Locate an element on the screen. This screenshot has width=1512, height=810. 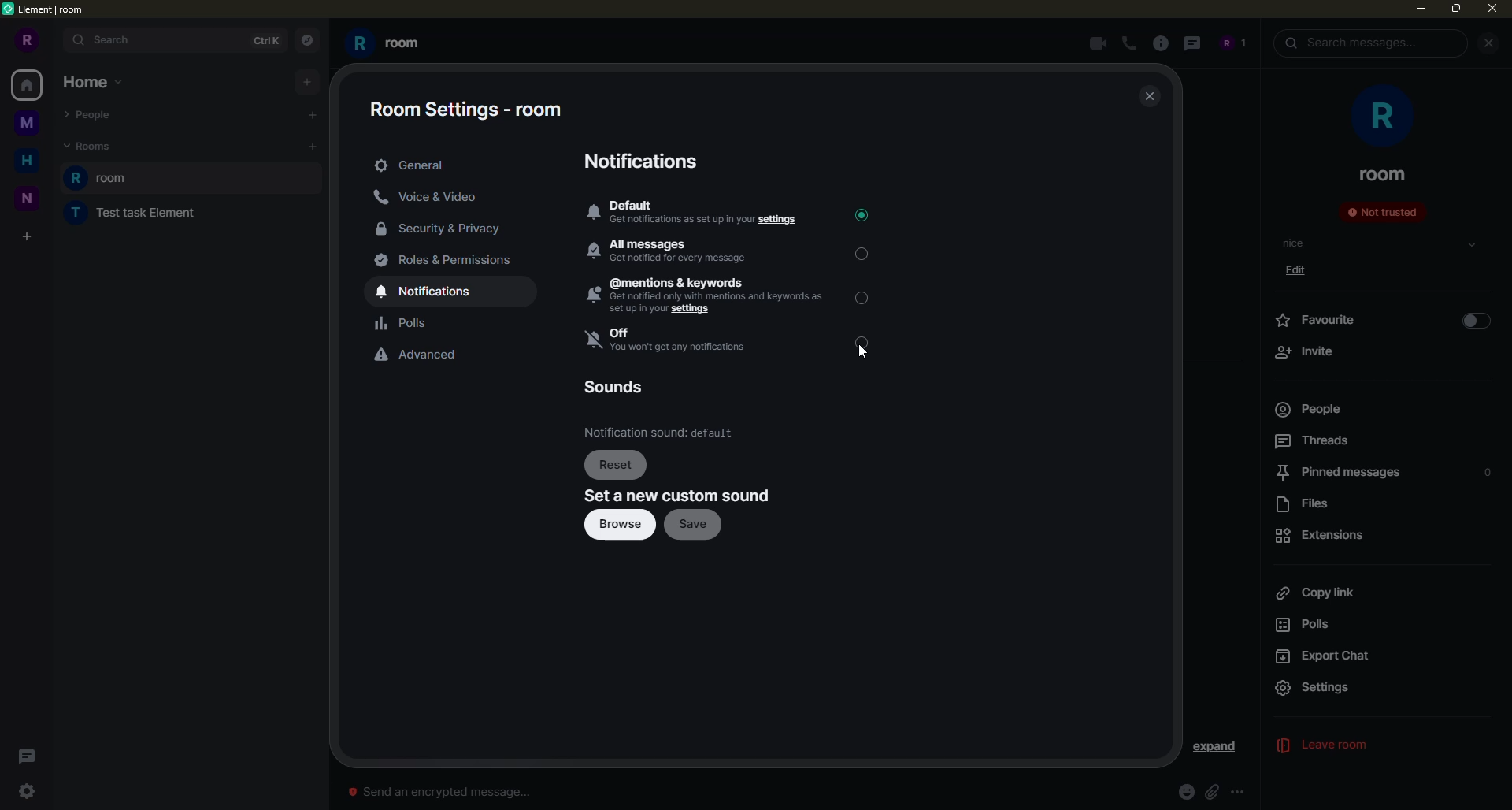
export chat is located at coordinates (1327, 657).